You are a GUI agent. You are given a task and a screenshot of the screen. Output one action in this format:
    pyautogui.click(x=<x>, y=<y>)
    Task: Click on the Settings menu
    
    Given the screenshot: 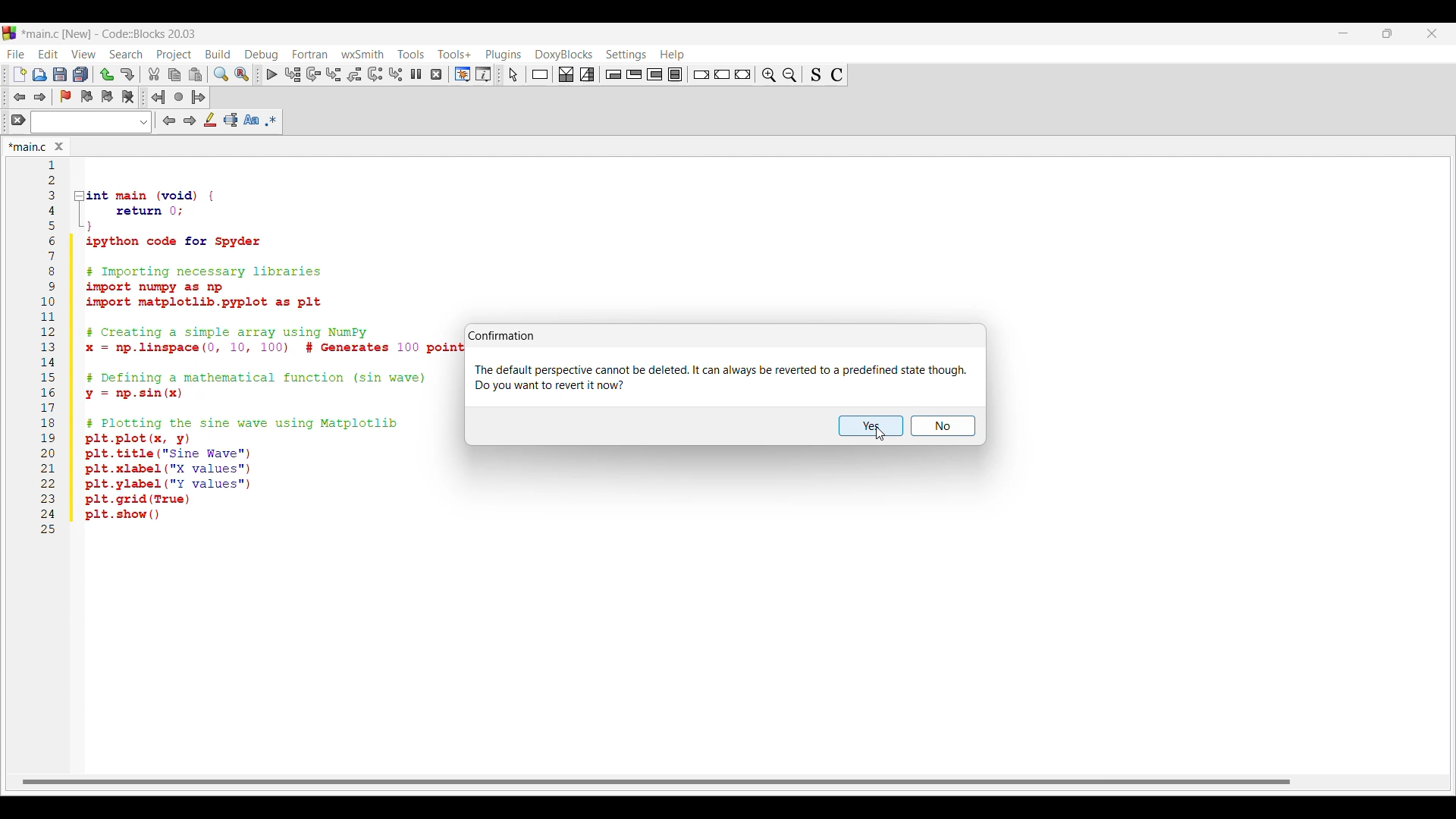 What is the action you would take?
    pyautogui.click(x=626, y=55)
    